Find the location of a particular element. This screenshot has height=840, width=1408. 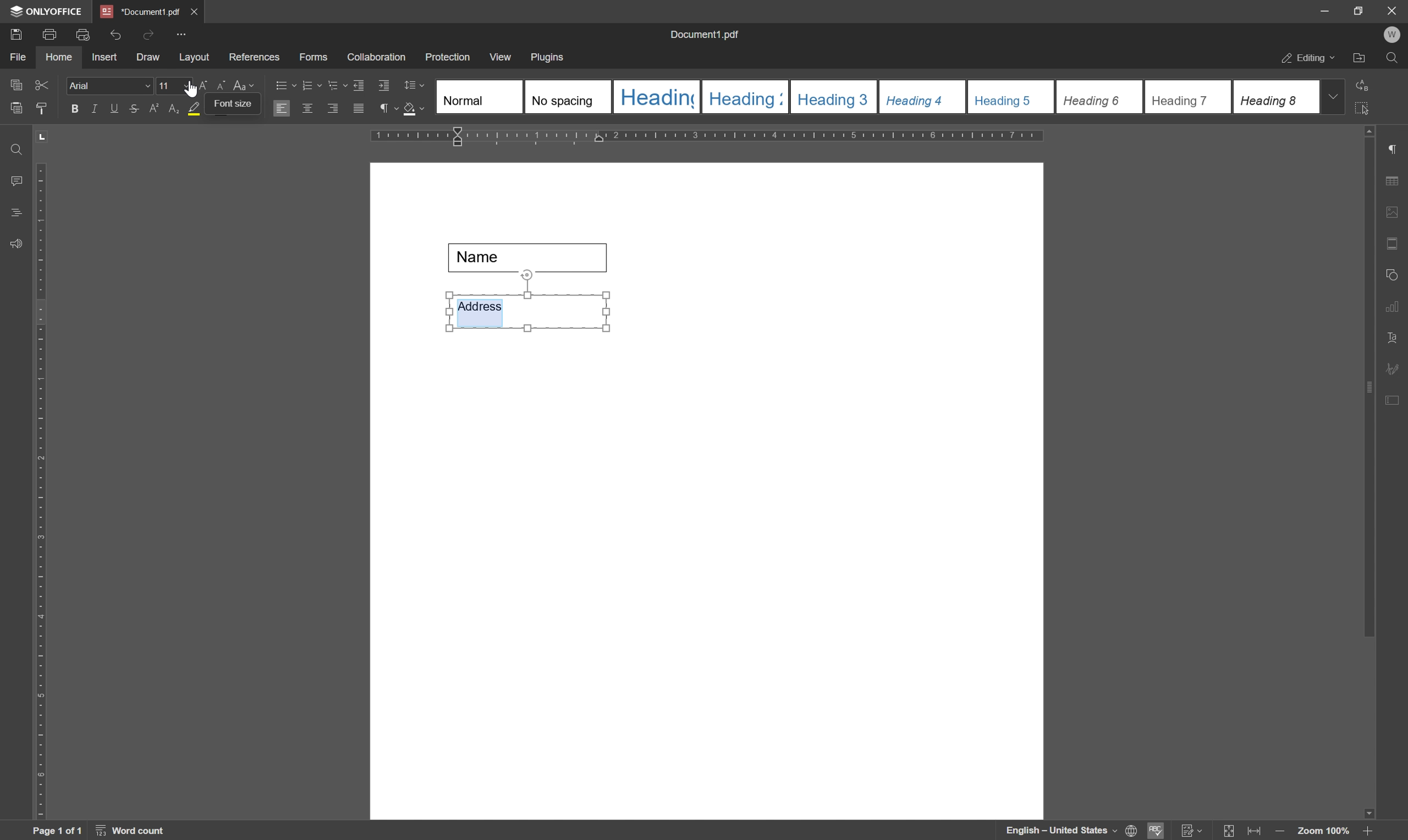

document1.pdf is located at coordinates (707, 36).